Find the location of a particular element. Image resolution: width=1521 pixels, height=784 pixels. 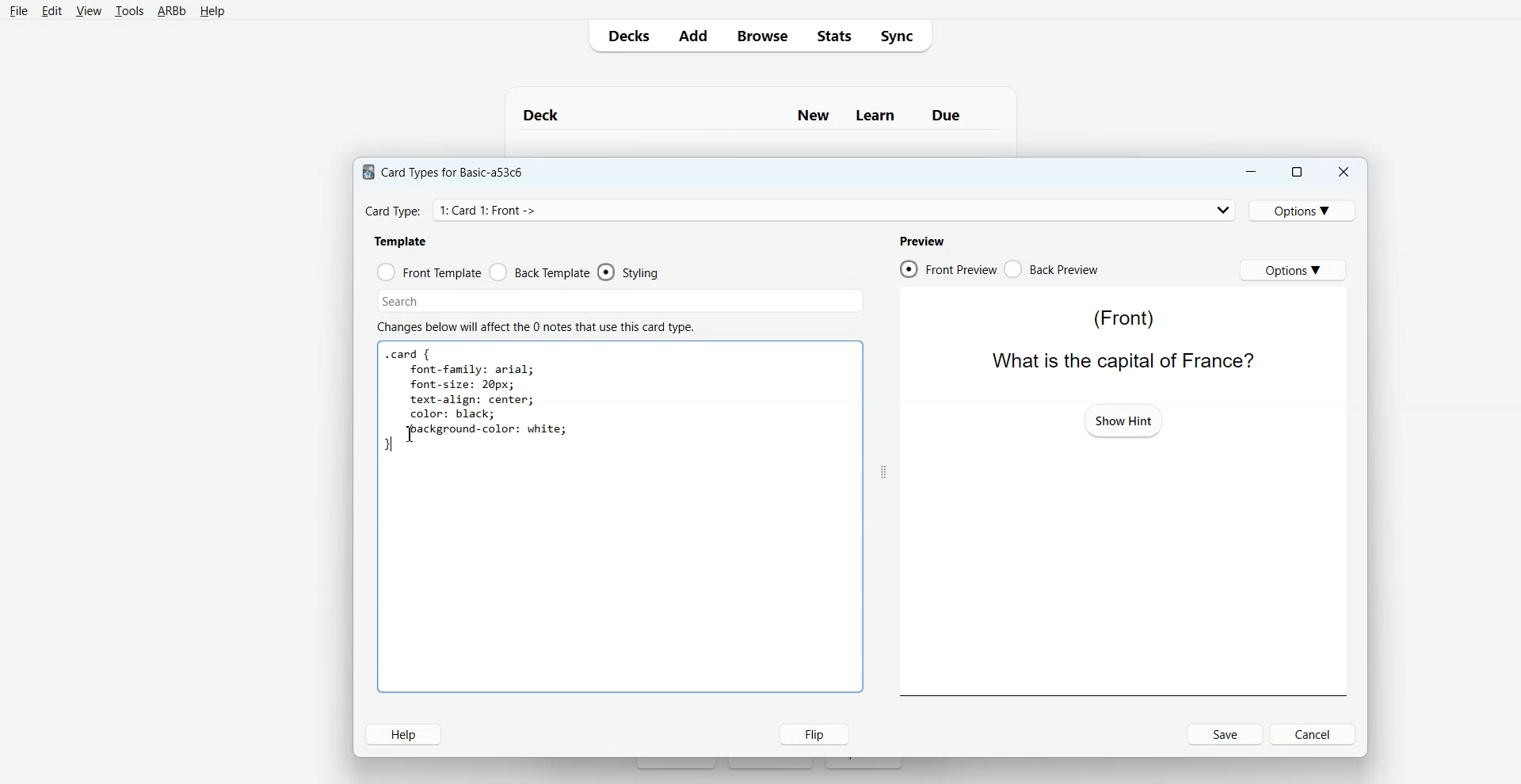

Card Types for Basic-a53c6 is located at coordinates (444, 171).